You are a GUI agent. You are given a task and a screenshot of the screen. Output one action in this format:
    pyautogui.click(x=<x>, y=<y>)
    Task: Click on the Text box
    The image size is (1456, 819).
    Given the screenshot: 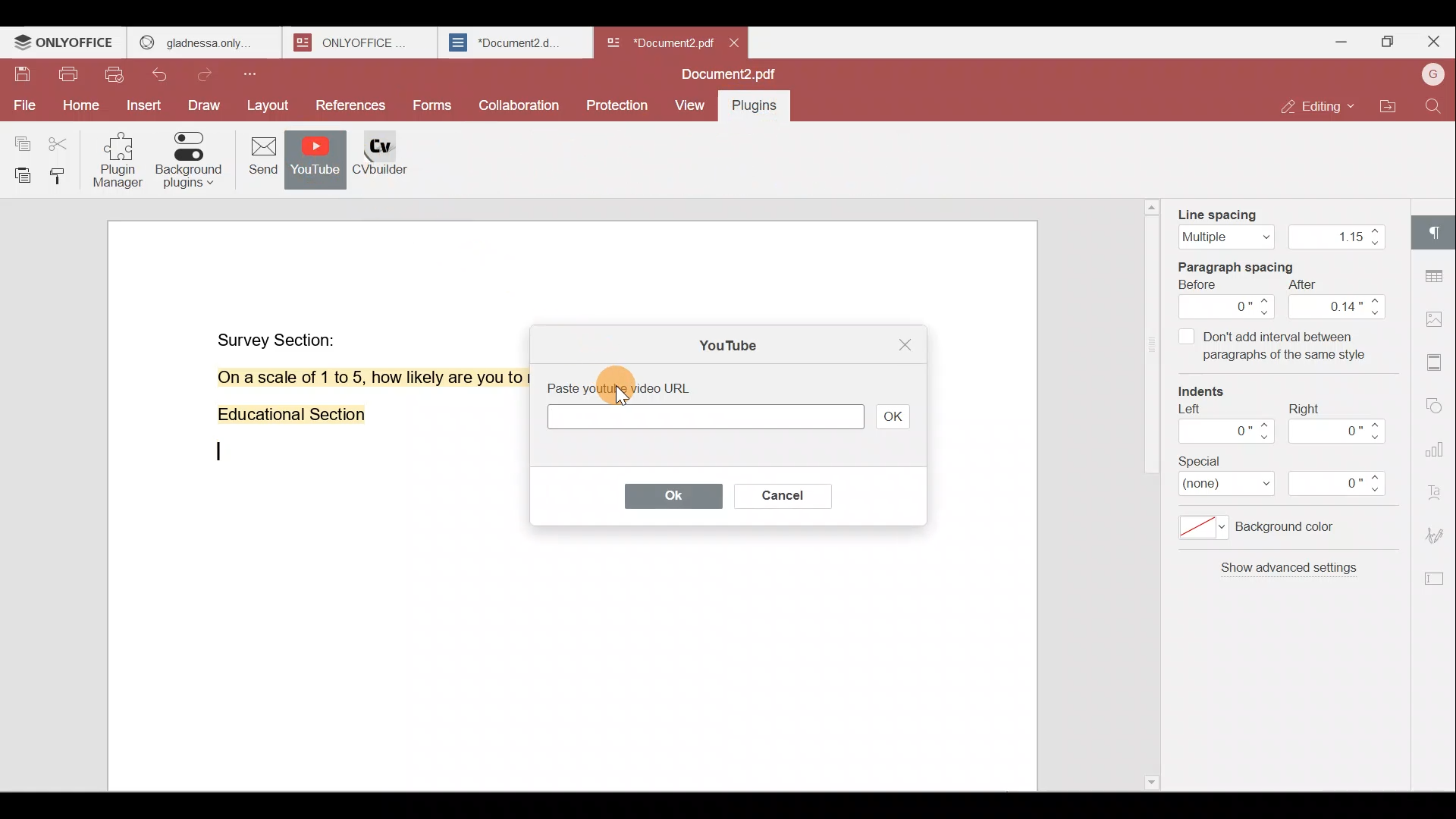 What is the action you would take?
    pyautogui.click(x=701, y=419)
    